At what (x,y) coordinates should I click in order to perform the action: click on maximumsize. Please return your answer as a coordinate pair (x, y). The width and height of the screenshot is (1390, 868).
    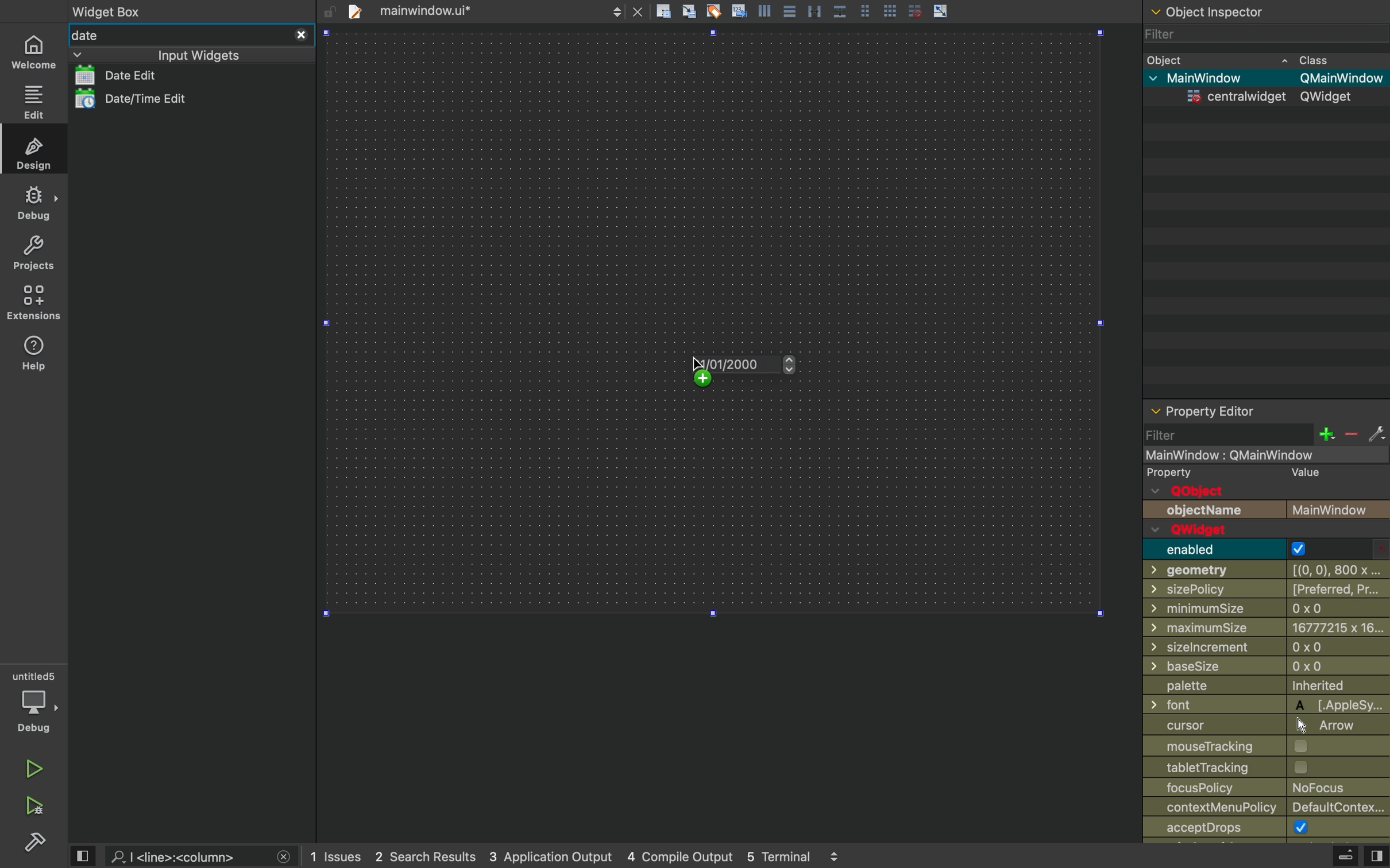
    Looking at the image, I should click on (1266, 629).